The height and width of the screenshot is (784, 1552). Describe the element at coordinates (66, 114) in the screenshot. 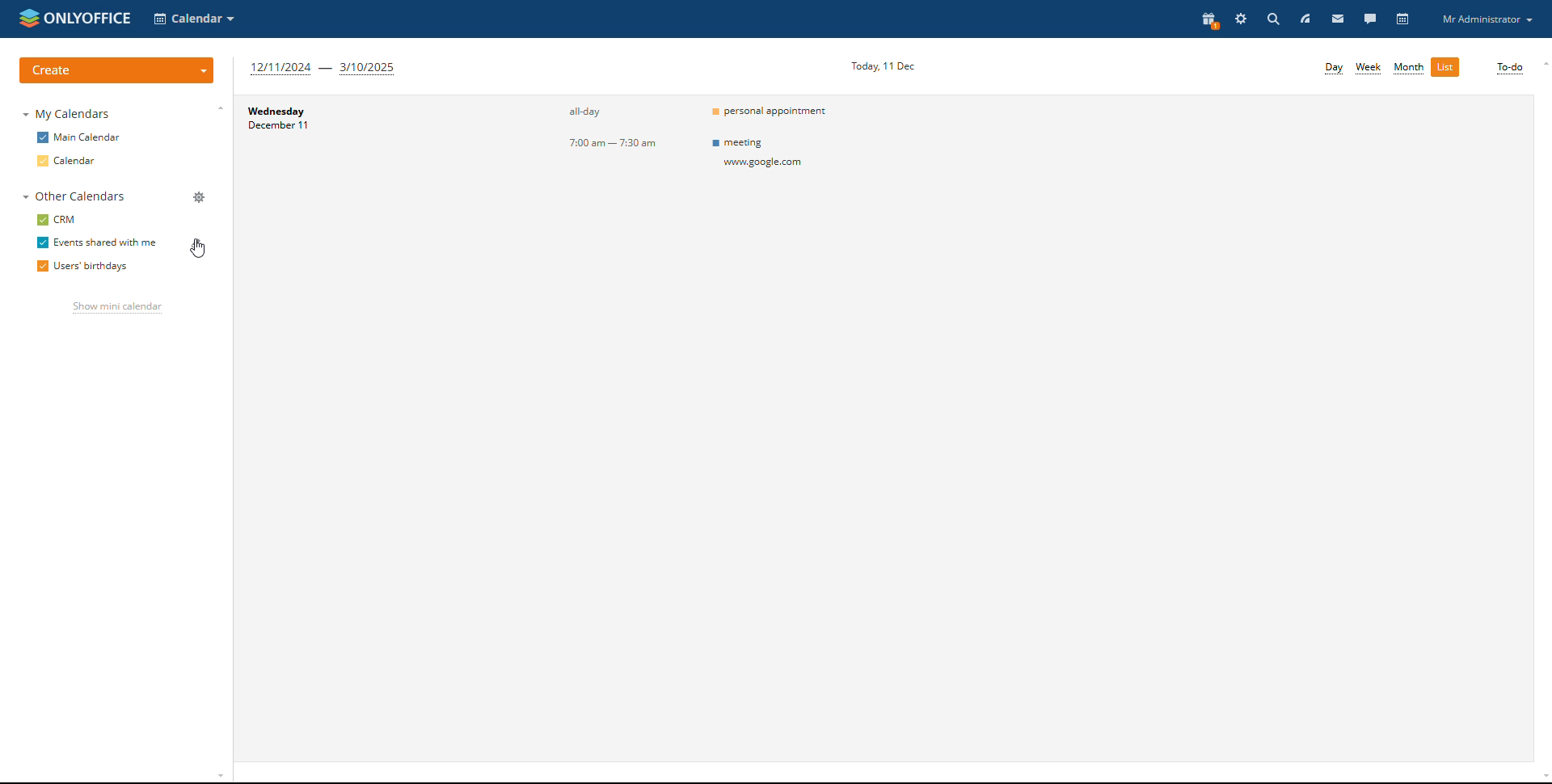

I see `my calendars` at that location.